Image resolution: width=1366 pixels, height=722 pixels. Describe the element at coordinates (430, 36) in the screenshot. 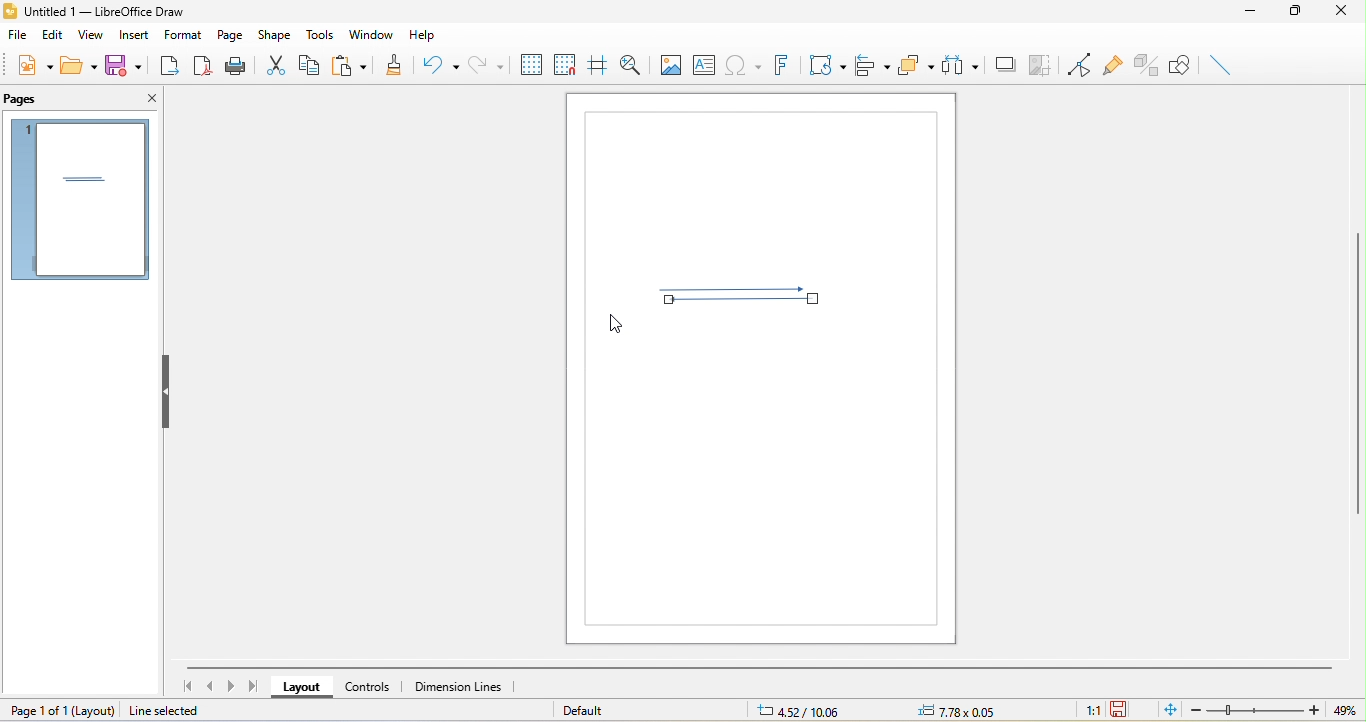

I see `help` at that location.